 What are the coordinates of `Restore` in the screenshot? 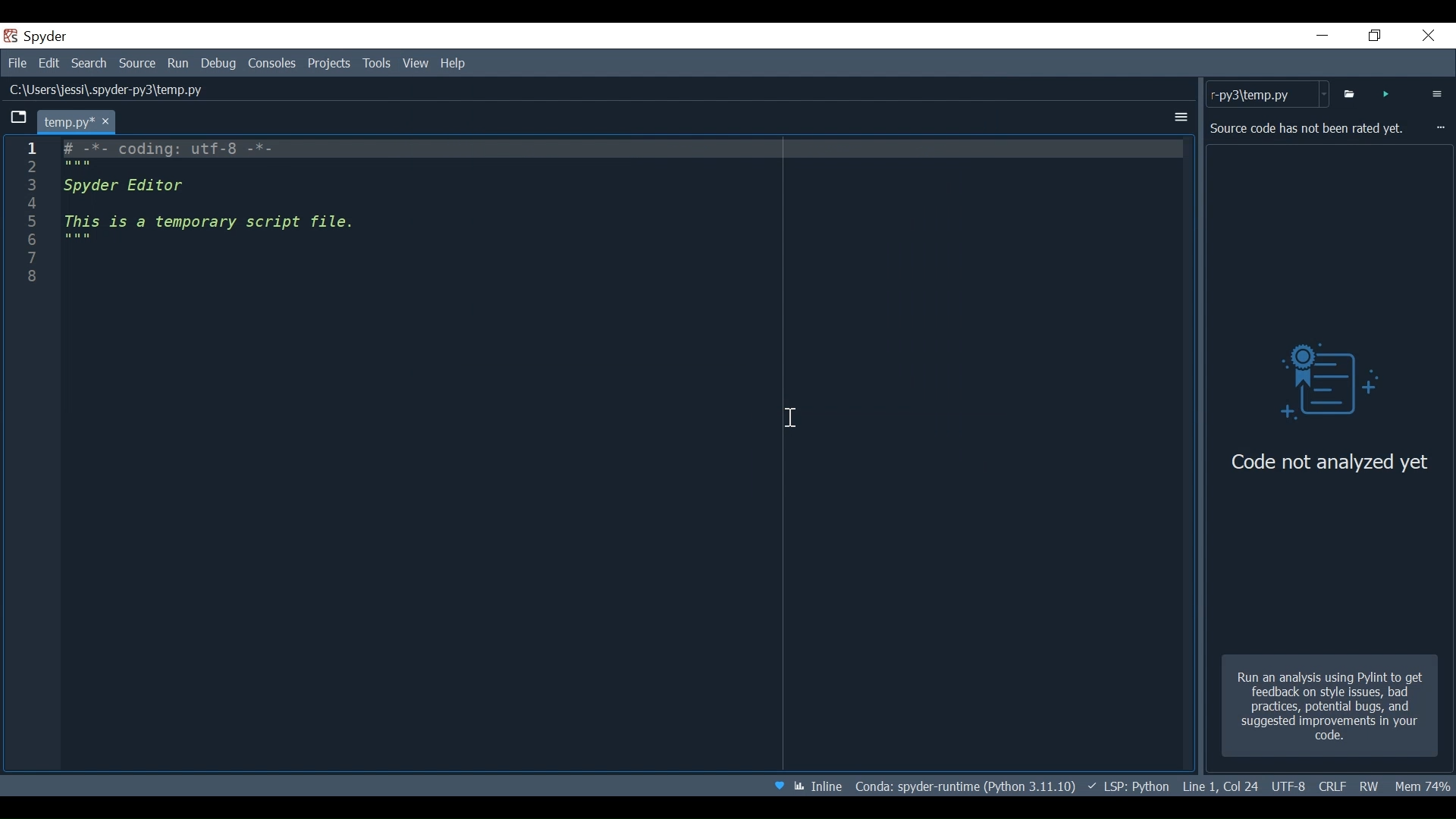 It's located at (1375, 36).